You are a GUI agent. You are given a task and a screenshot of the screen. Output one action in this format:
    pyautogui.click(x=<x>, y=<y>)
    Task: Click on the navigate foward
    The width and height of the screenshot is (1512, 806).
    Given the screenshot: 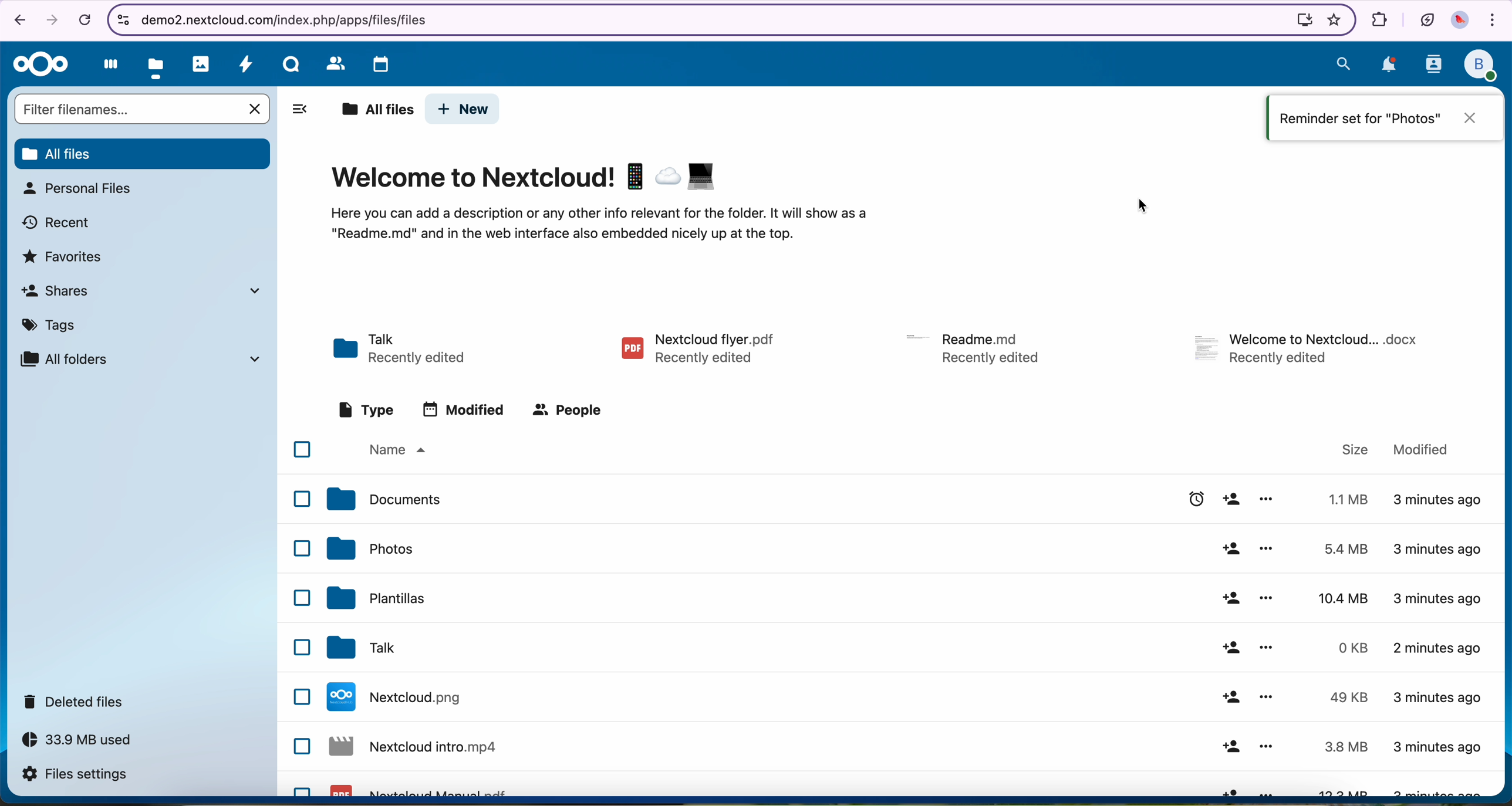 What is the action you would take?
    pyautogui.click(x=51, y=21)
    